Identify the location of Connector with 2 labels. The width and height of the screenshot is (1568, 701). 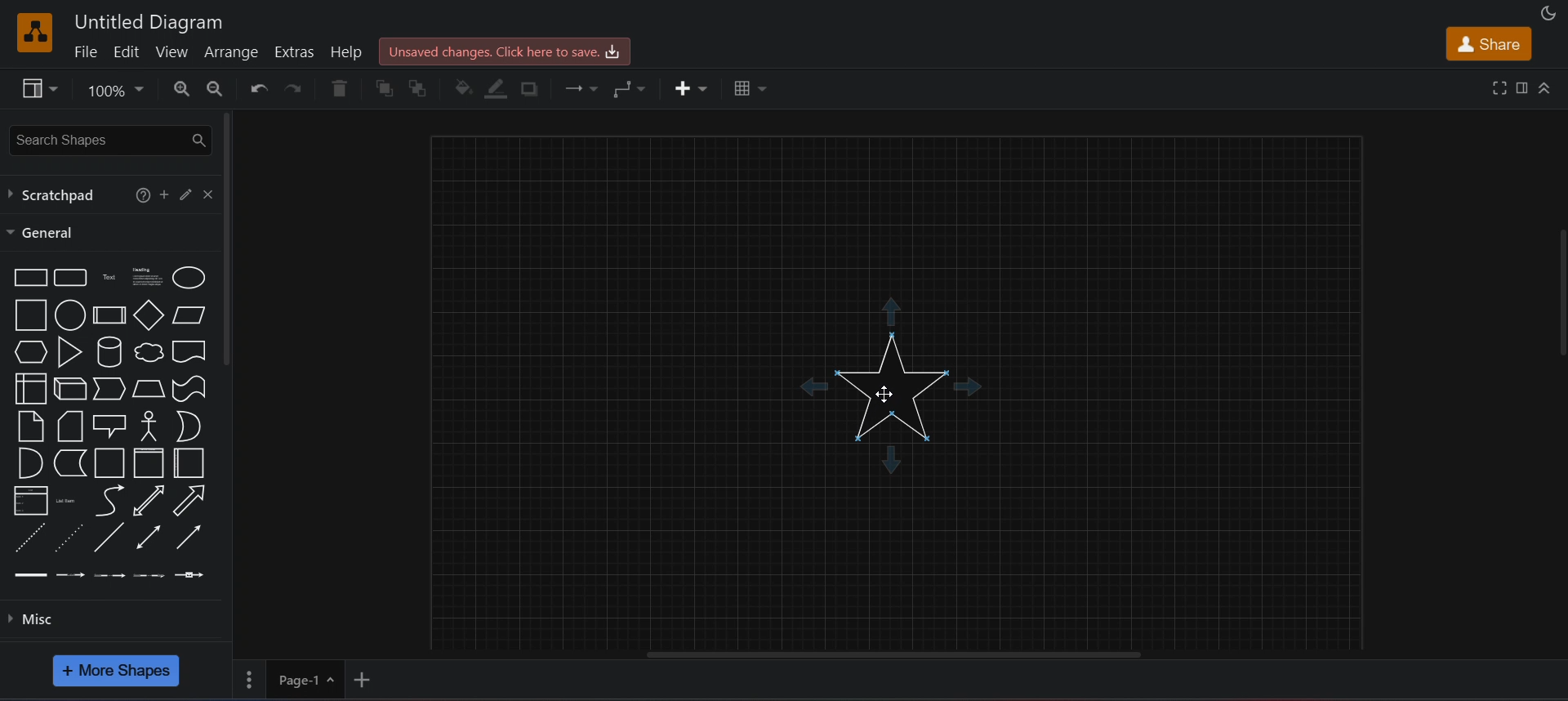
(109, 574).